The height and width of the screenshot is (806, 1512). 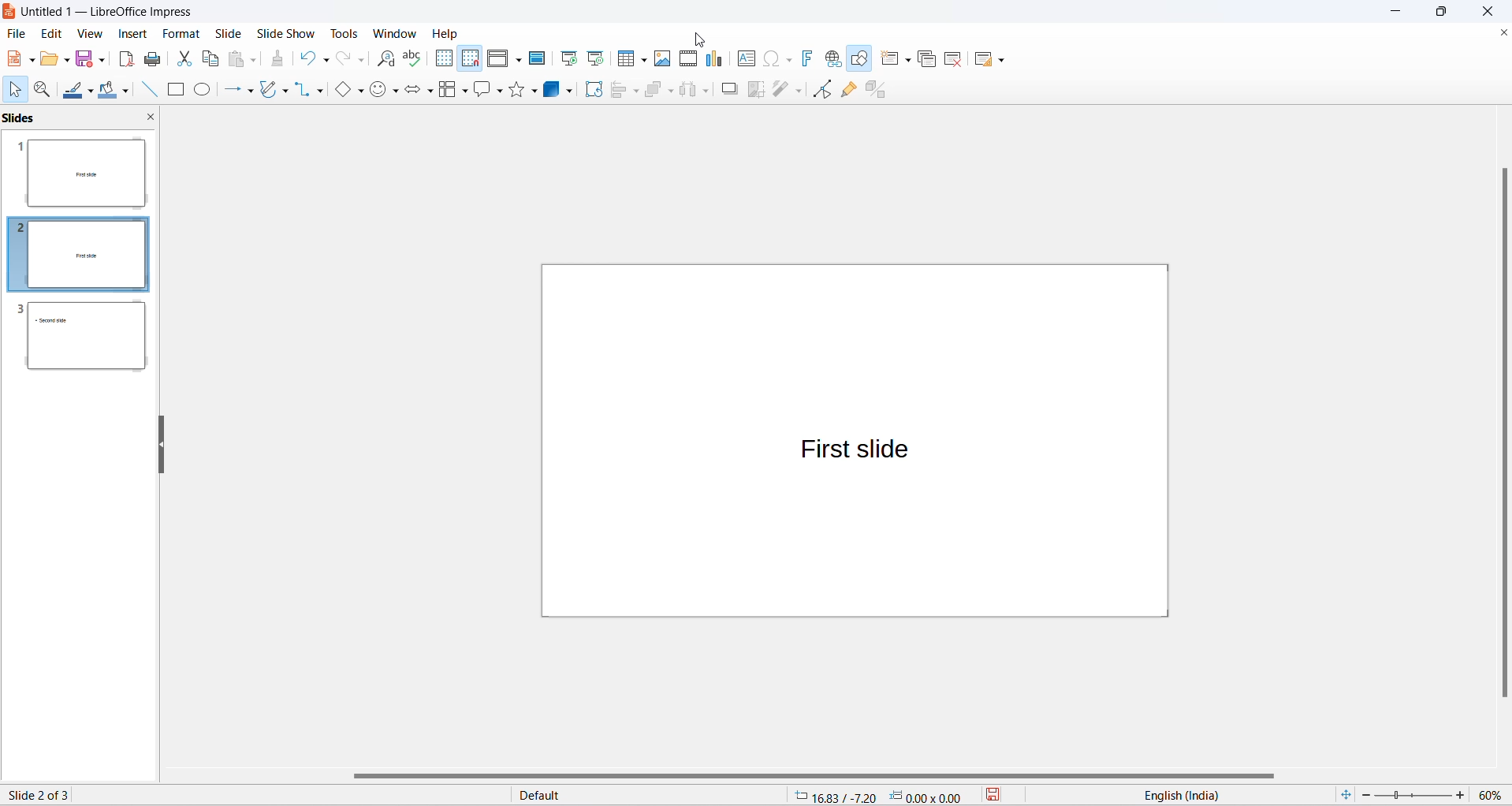 I want to click on connectors option, so click(x=321, y=94).